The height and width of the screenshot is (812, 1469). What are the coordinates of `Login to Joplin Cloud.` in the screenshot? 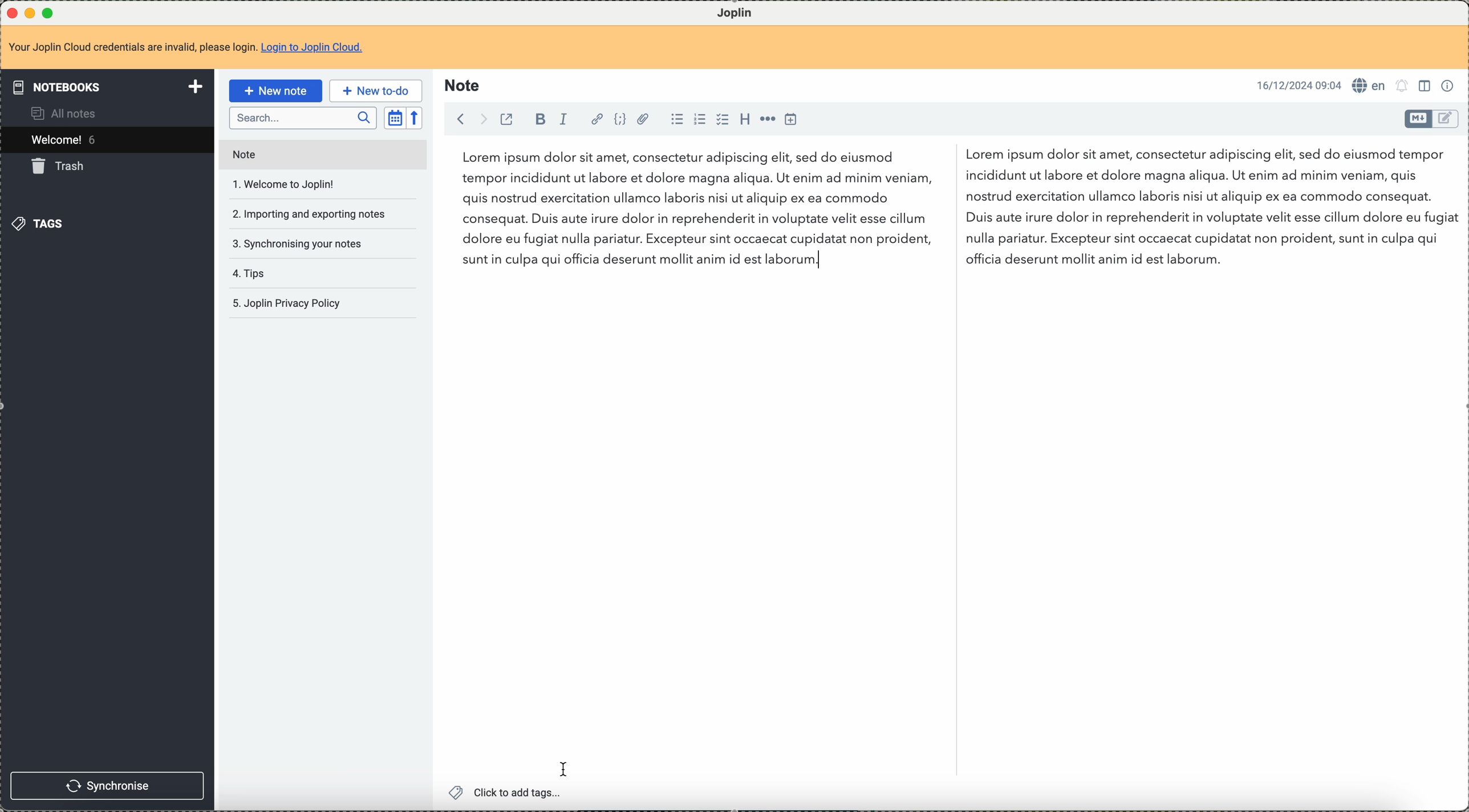 It's located at (316, 49).